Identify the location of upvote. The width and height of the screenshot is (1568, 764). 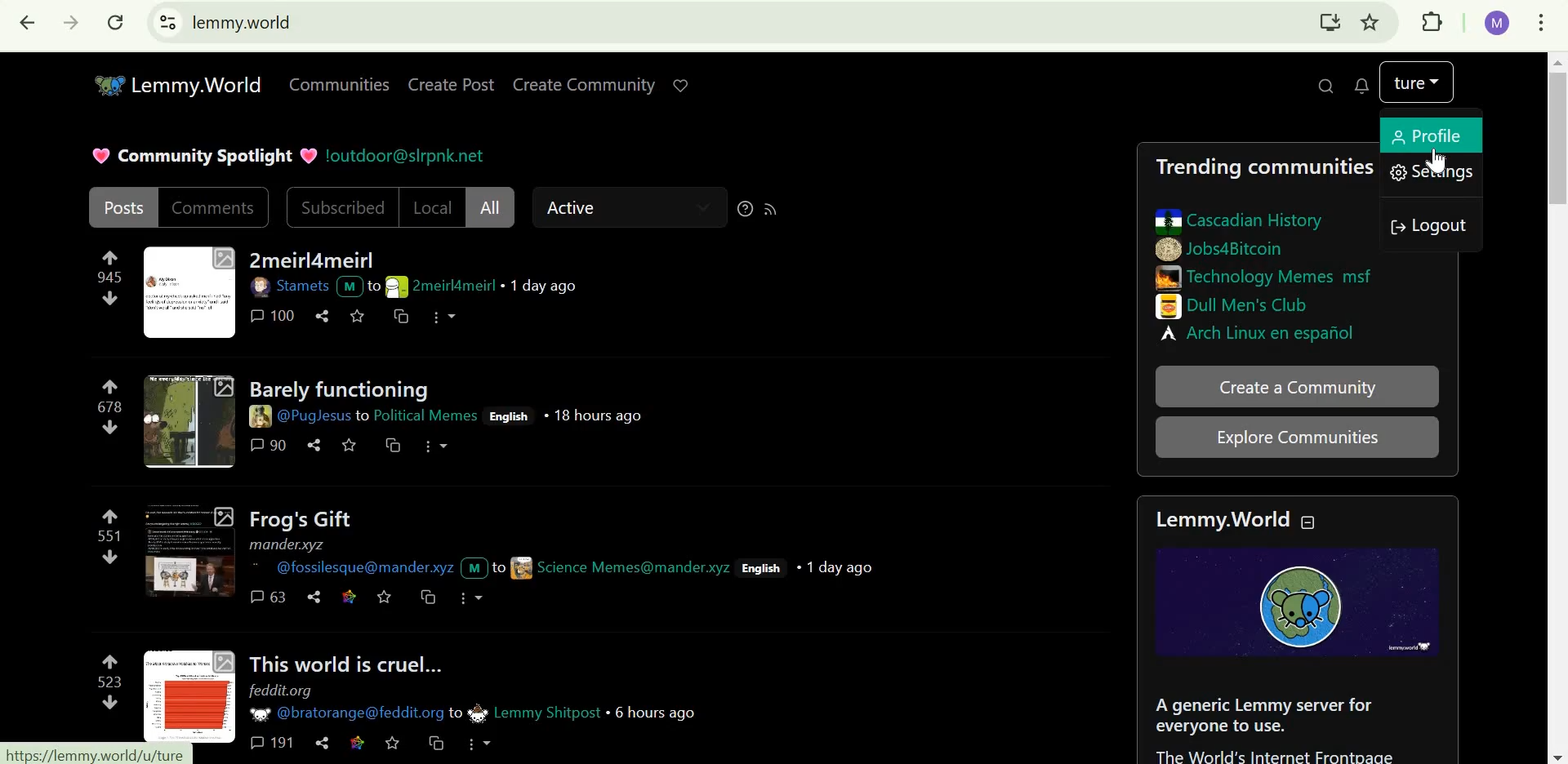
(109, 516).